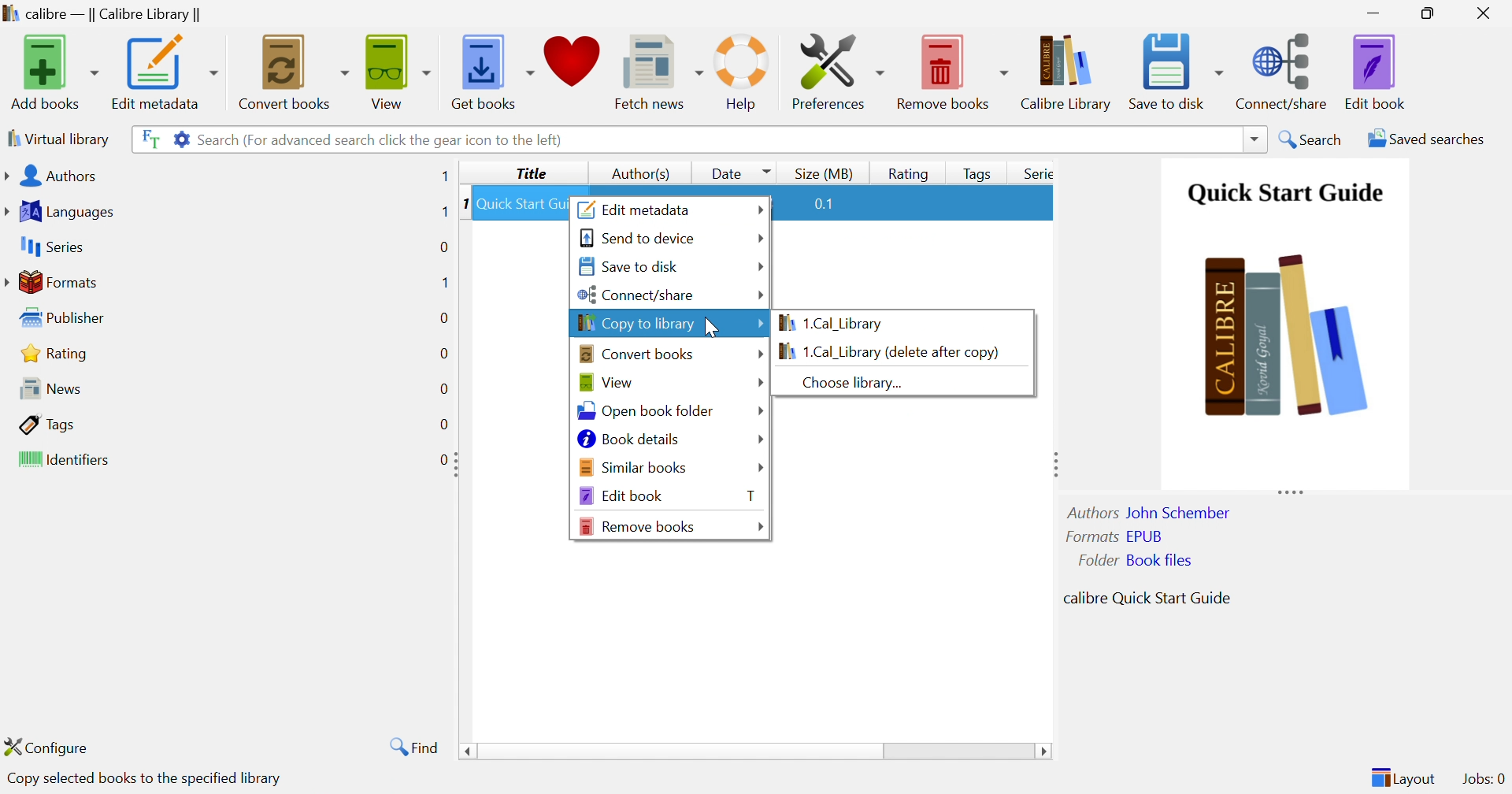 The height and width of the screenshot is (794, 1512). I want to click on Similar books, so click(633, 466).